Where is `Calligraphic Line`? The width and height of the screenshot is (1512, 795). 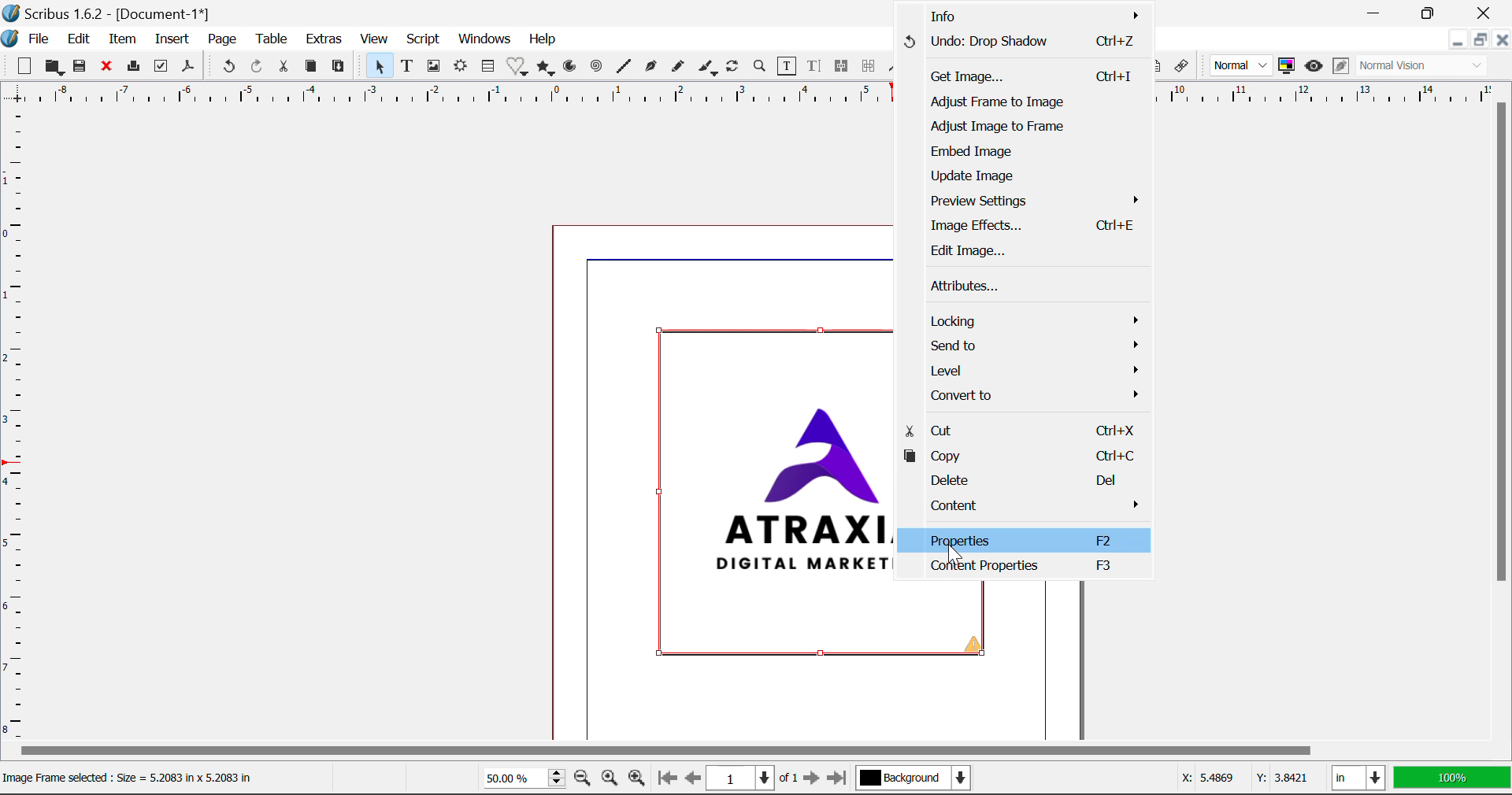 Calligraphic Line is located at coordinates (709, 69).